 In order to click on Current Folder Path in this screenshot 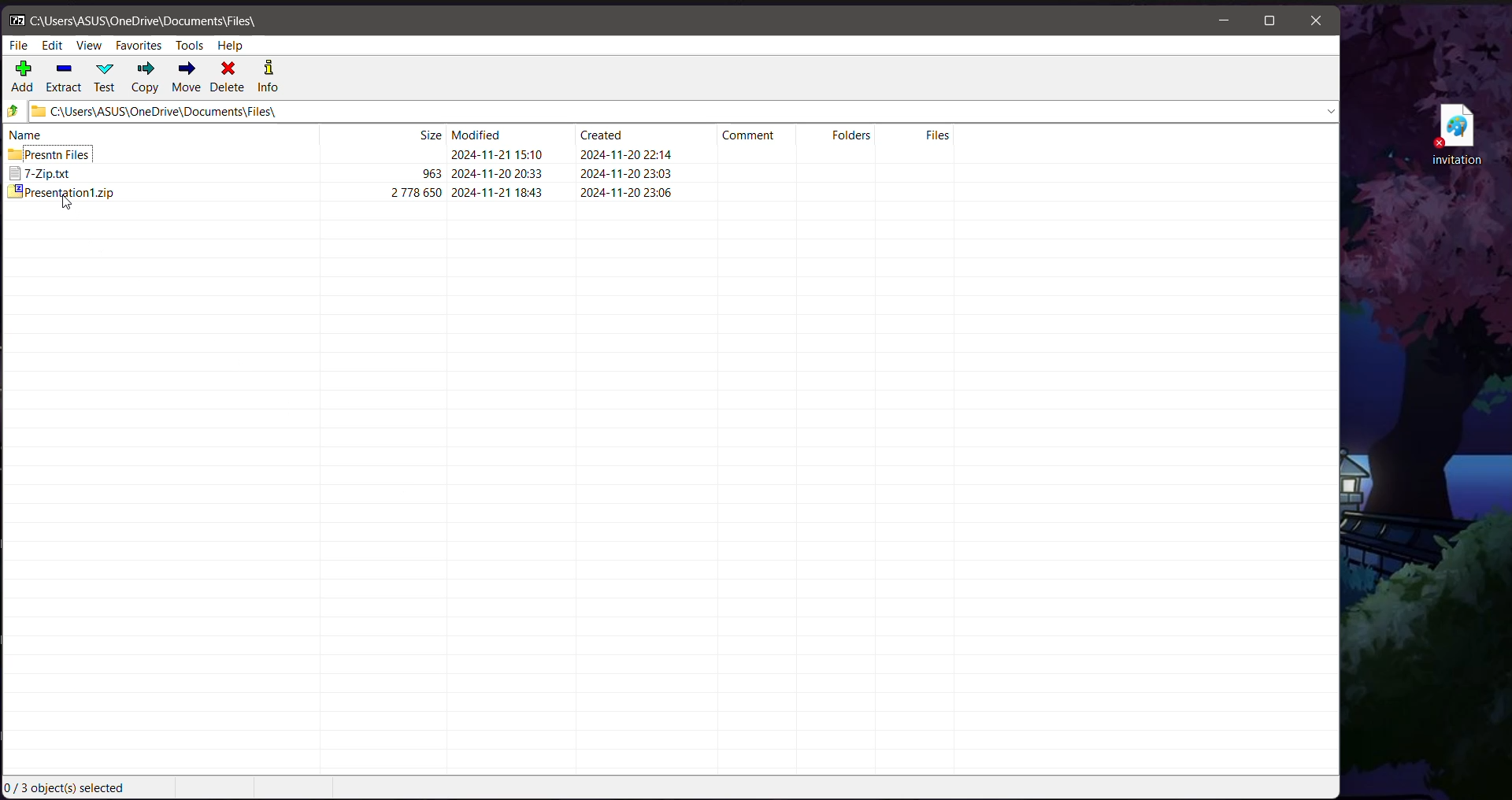, I will do `click(143, 20)`.